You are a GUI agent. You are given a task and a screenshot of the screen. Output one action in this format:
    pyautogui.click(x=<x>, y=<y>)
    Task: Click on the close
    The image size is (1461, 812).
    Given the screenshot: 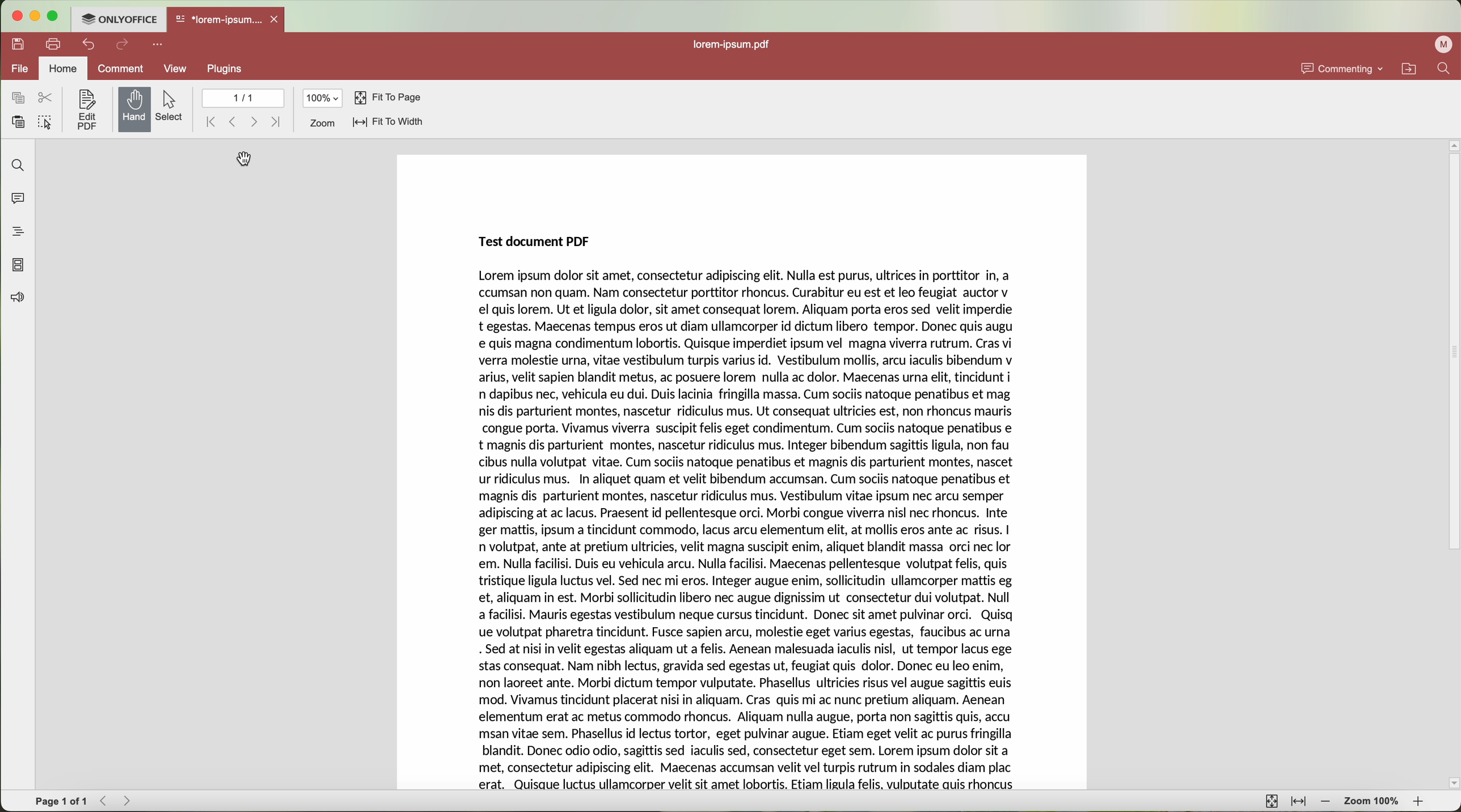 What is the action you would take?
    pyautogui.click(x=278, y=19)
    